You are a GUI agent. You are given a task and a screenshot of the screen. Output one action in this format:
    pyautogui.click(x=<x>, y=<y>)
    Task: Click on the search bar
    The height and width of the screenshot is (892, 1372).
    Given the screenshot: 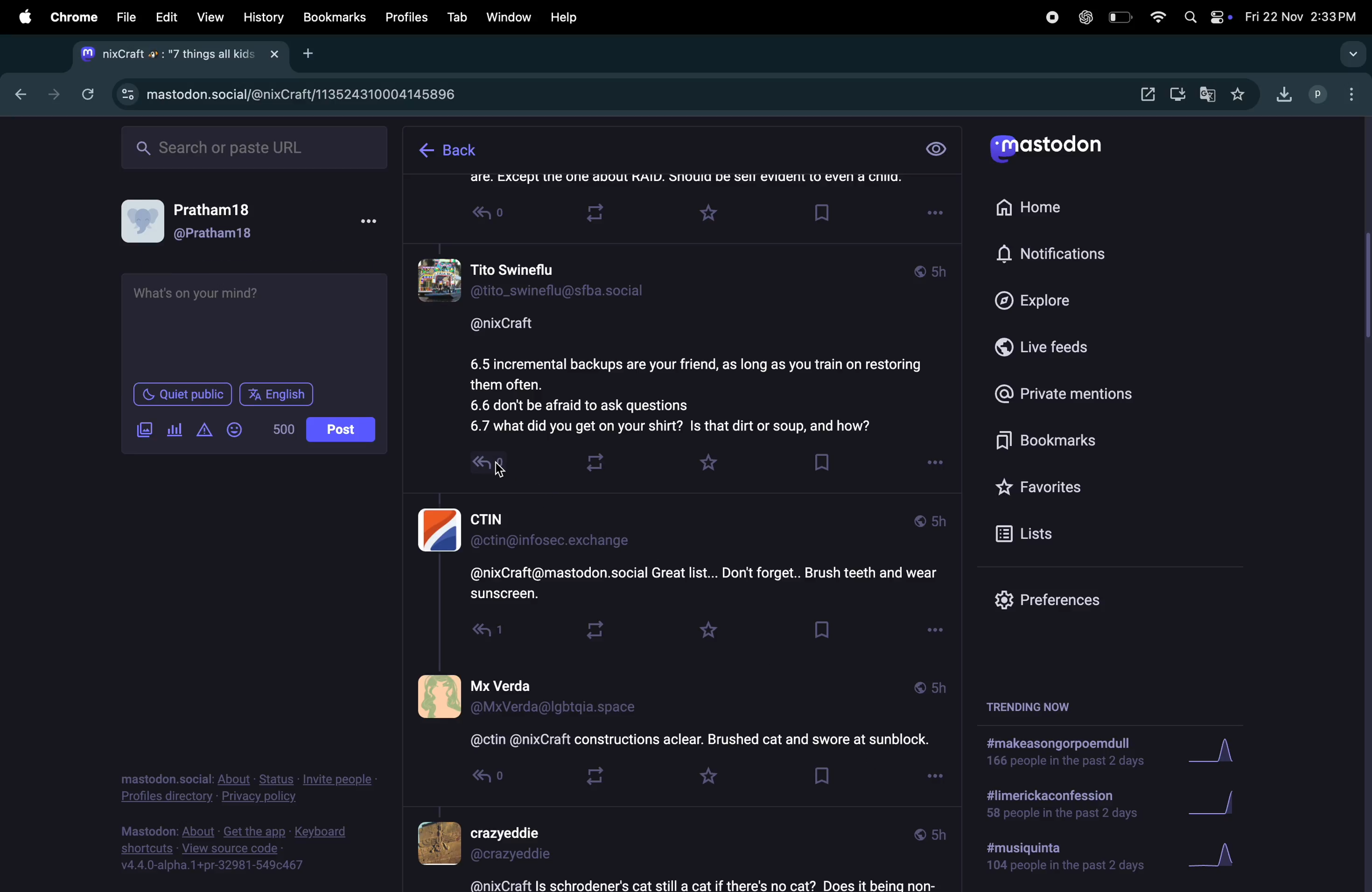 What is the action you would take?
    pyautogui.click(x=254, y=149)
    